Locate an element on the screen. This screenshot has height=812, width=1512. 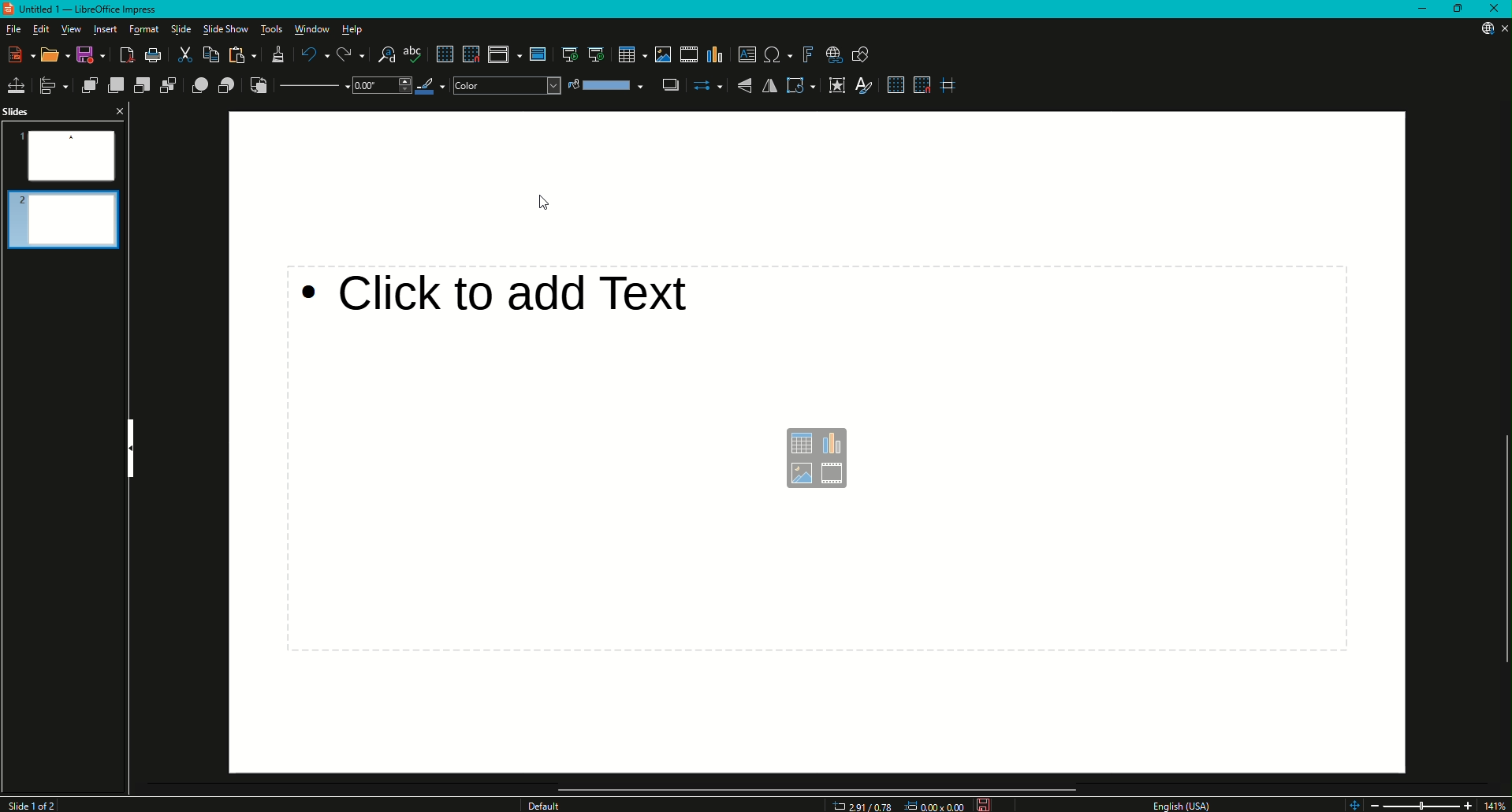
Scroll is located at coordinates (814, 786).